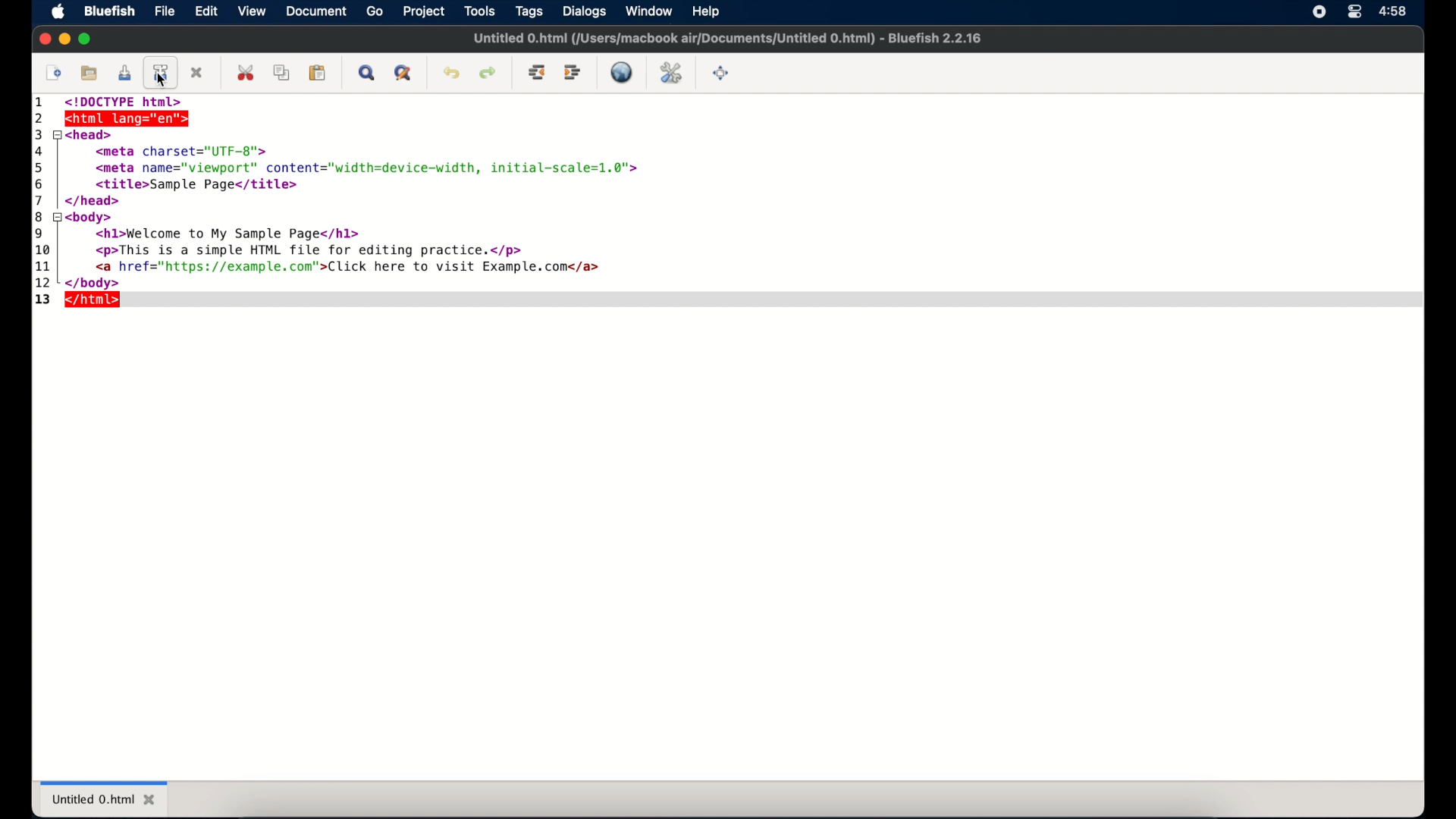 The image size is (1456, 819). I want to click on advanced find and replace, so click(404, 74).